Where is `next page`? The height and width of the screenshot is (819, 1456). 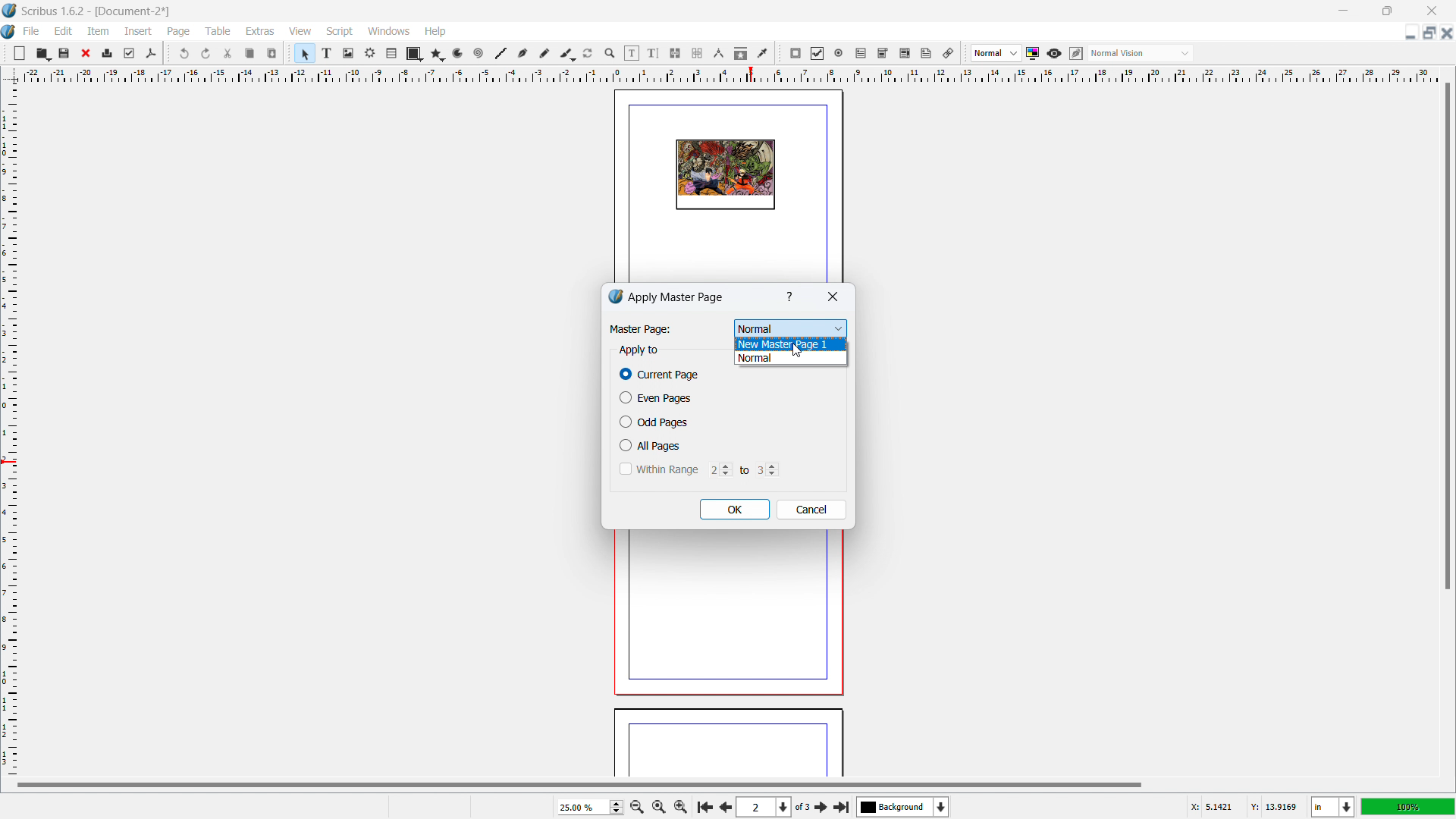 next page is located at coordinates (723, 805).